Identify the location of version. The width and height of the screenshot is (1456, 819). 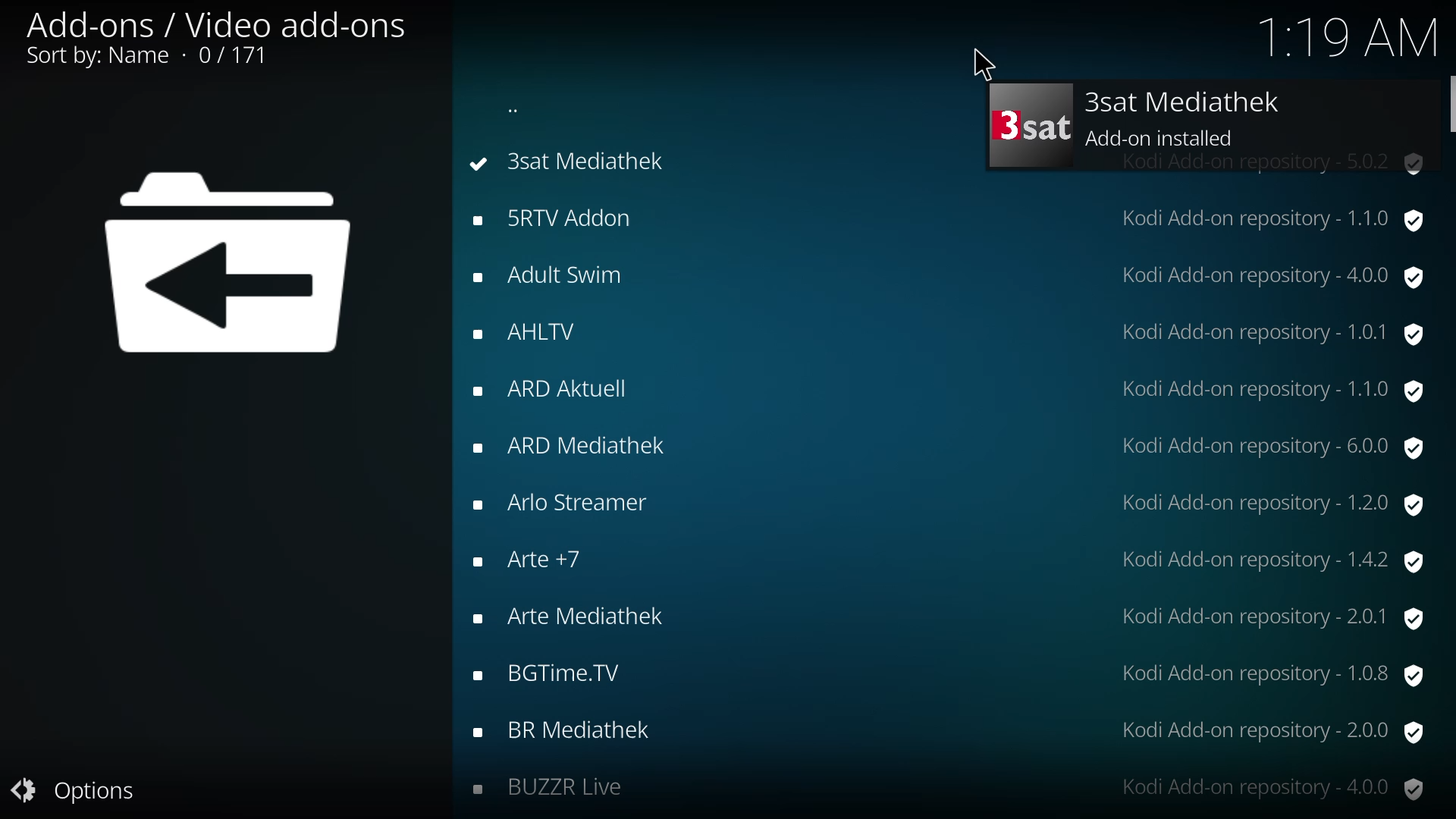
(1268, 784).